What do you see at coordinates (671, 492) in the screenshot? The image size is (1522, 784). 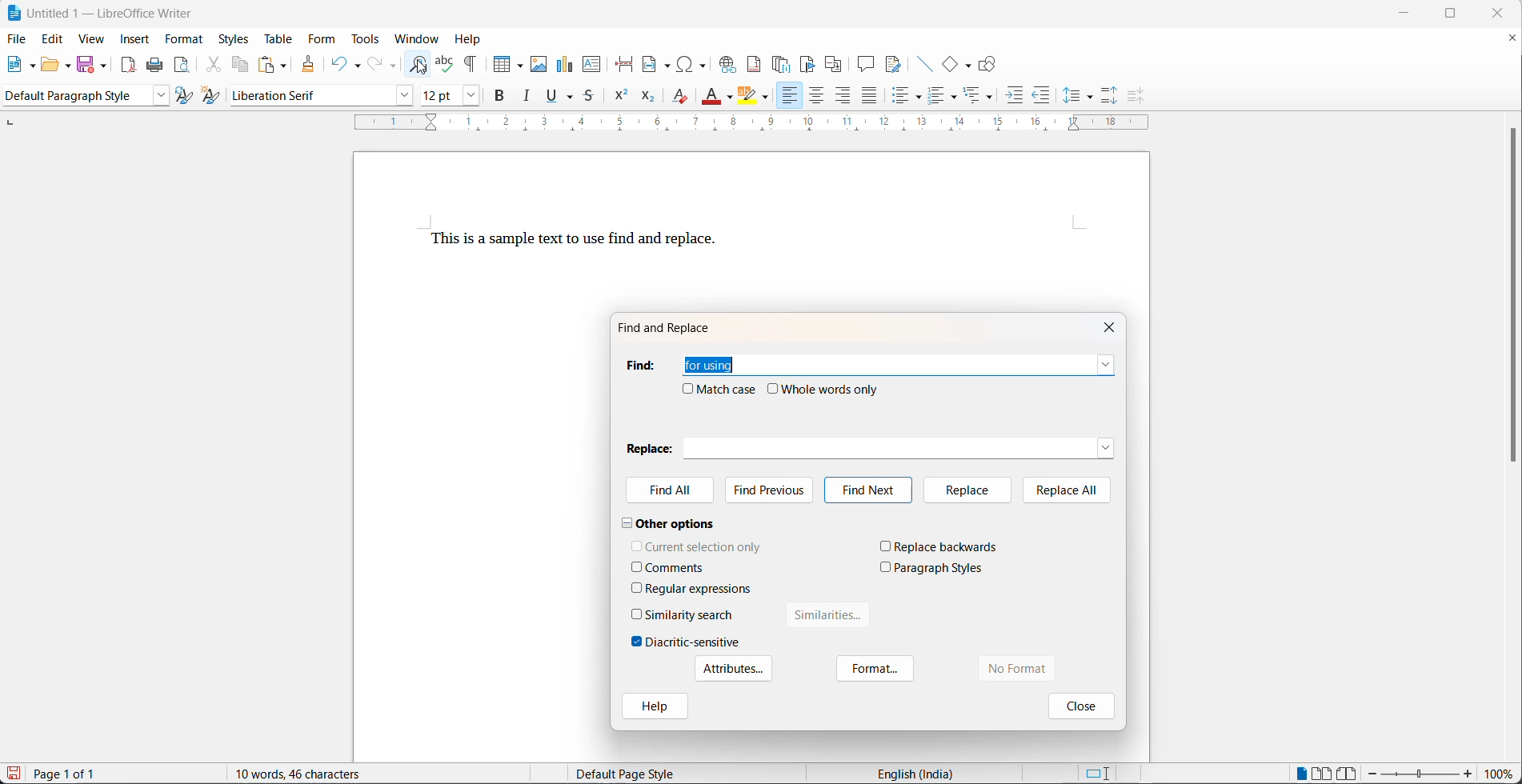 I see `find All` at bounding box center [671, 492].